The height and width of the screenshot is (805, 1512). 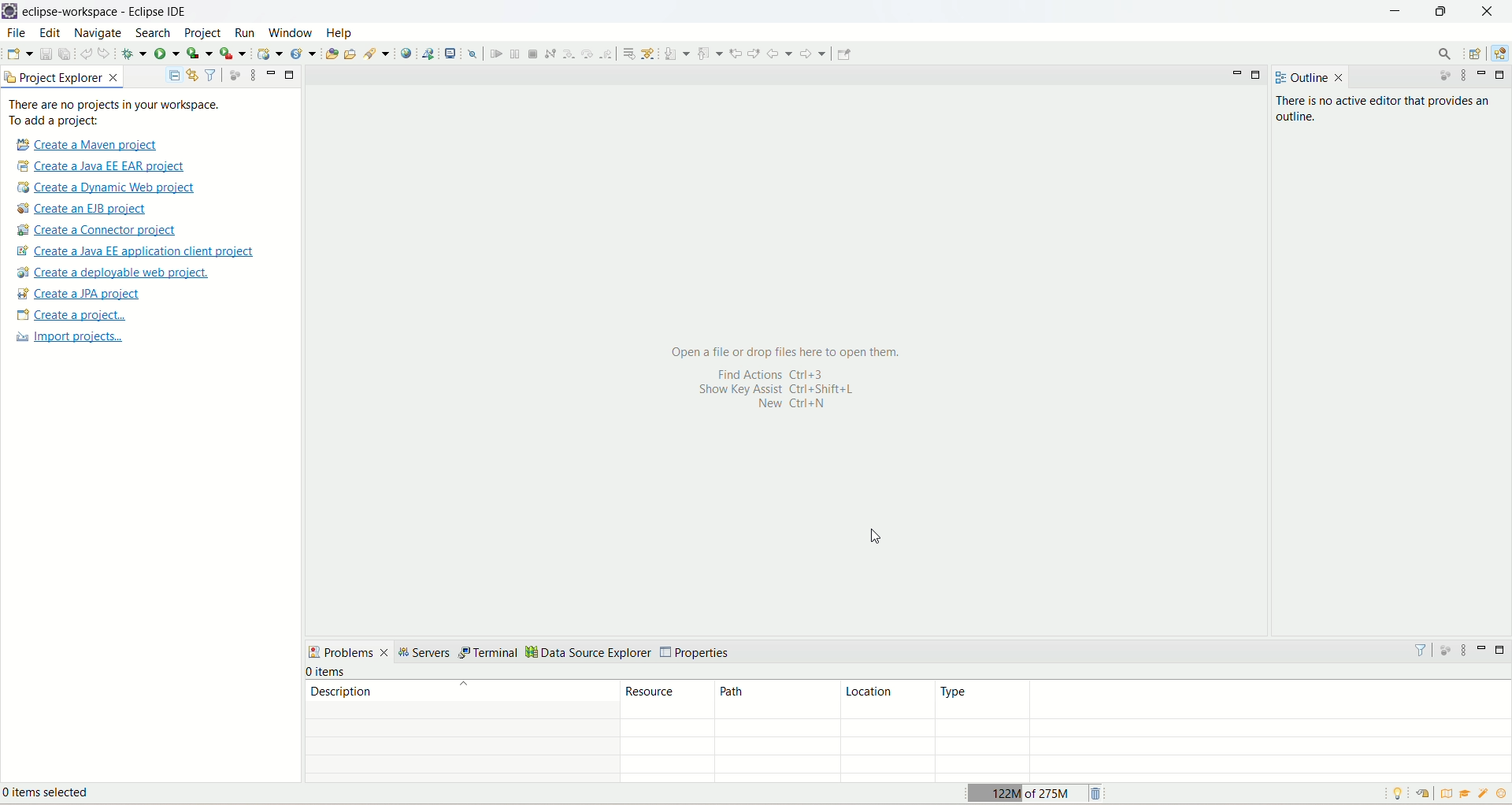 I want to click on close, so click(x=1487, y=11).